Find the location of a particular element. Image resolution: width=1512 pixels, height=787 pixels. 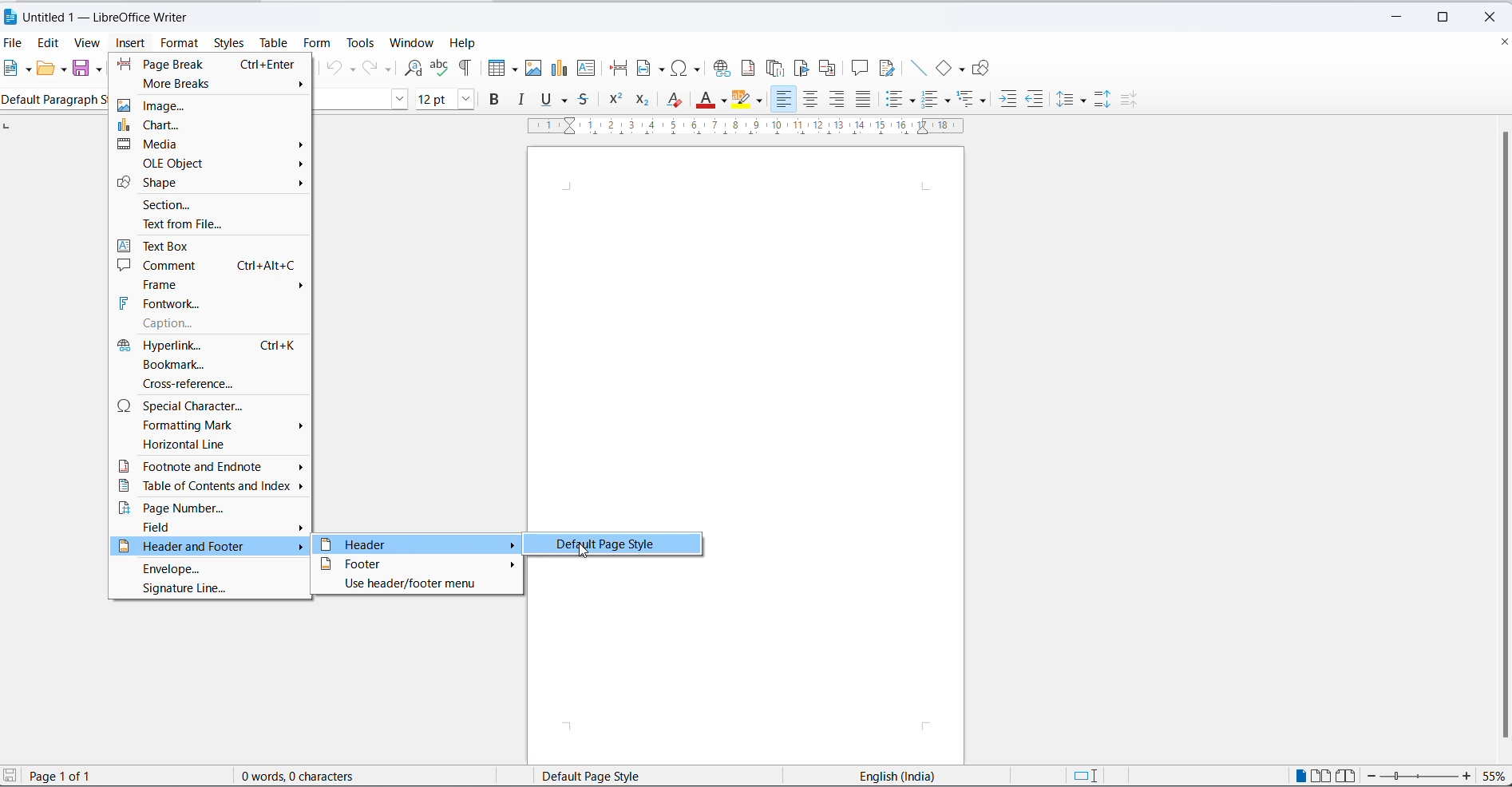

decrease indent is located at coordinates (1035, 100).